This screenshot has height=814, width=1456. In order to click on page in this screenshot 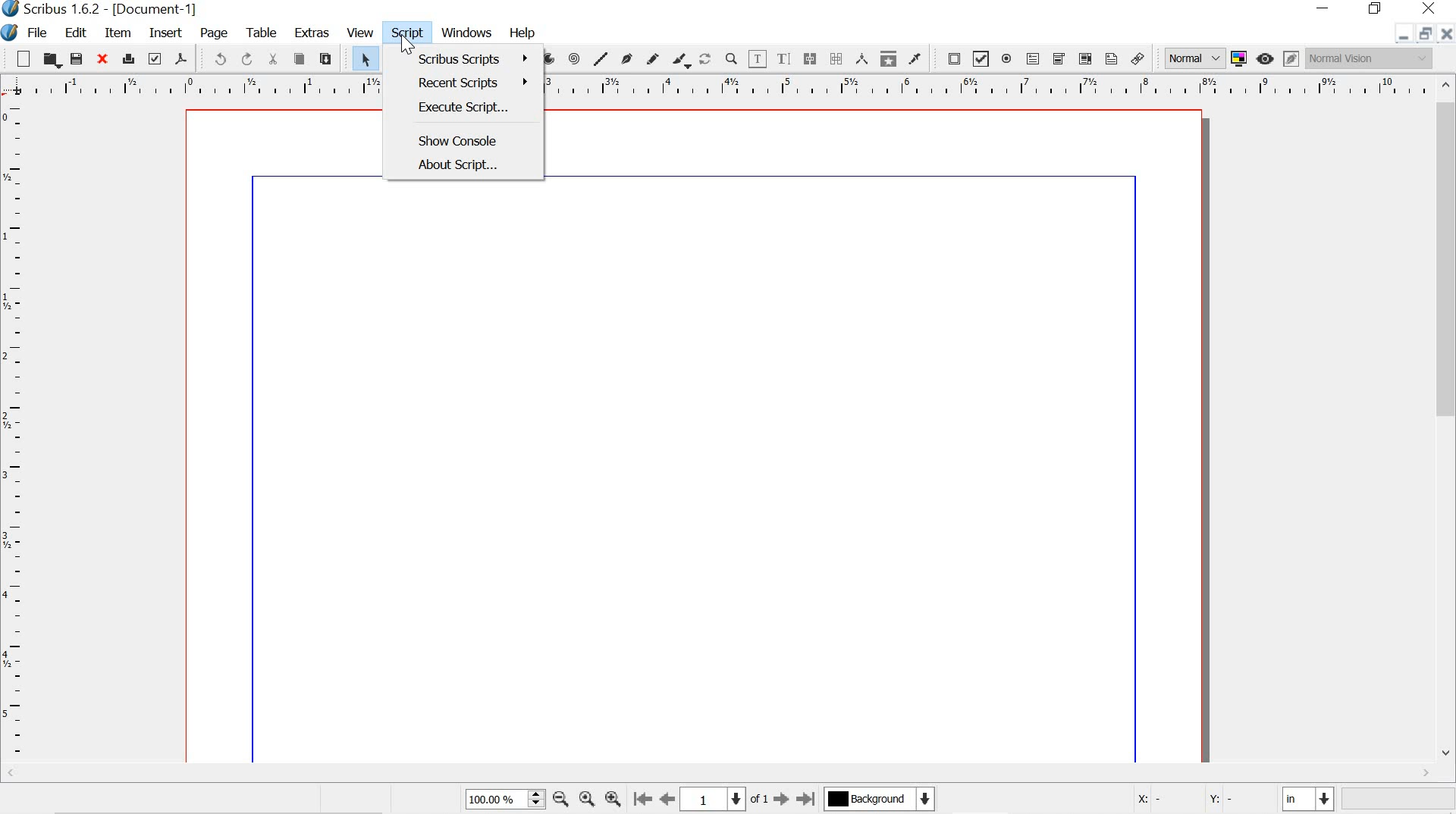, I will do `click(218, 33)`.